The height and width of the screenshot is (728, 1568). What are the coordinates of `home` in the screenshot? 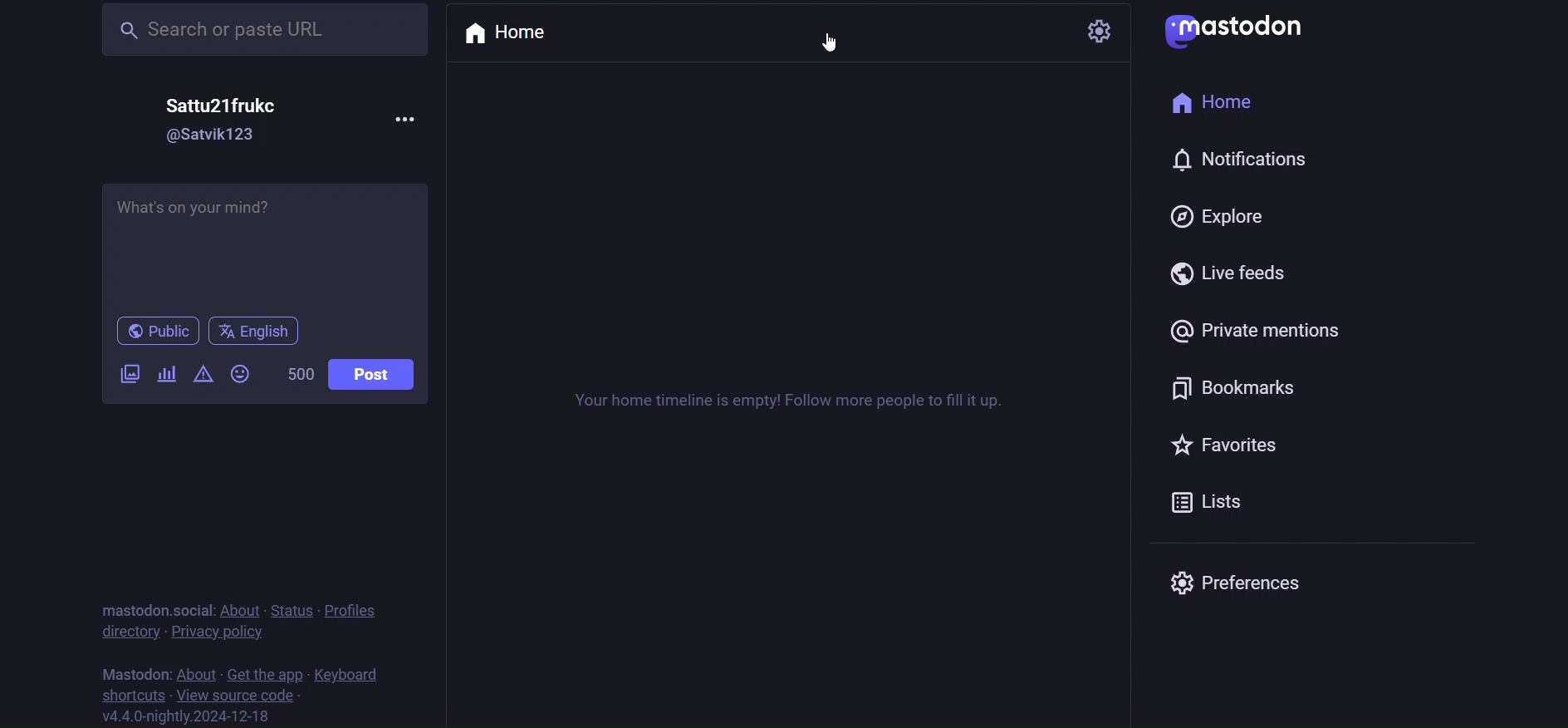 It's located at (1224, 102).